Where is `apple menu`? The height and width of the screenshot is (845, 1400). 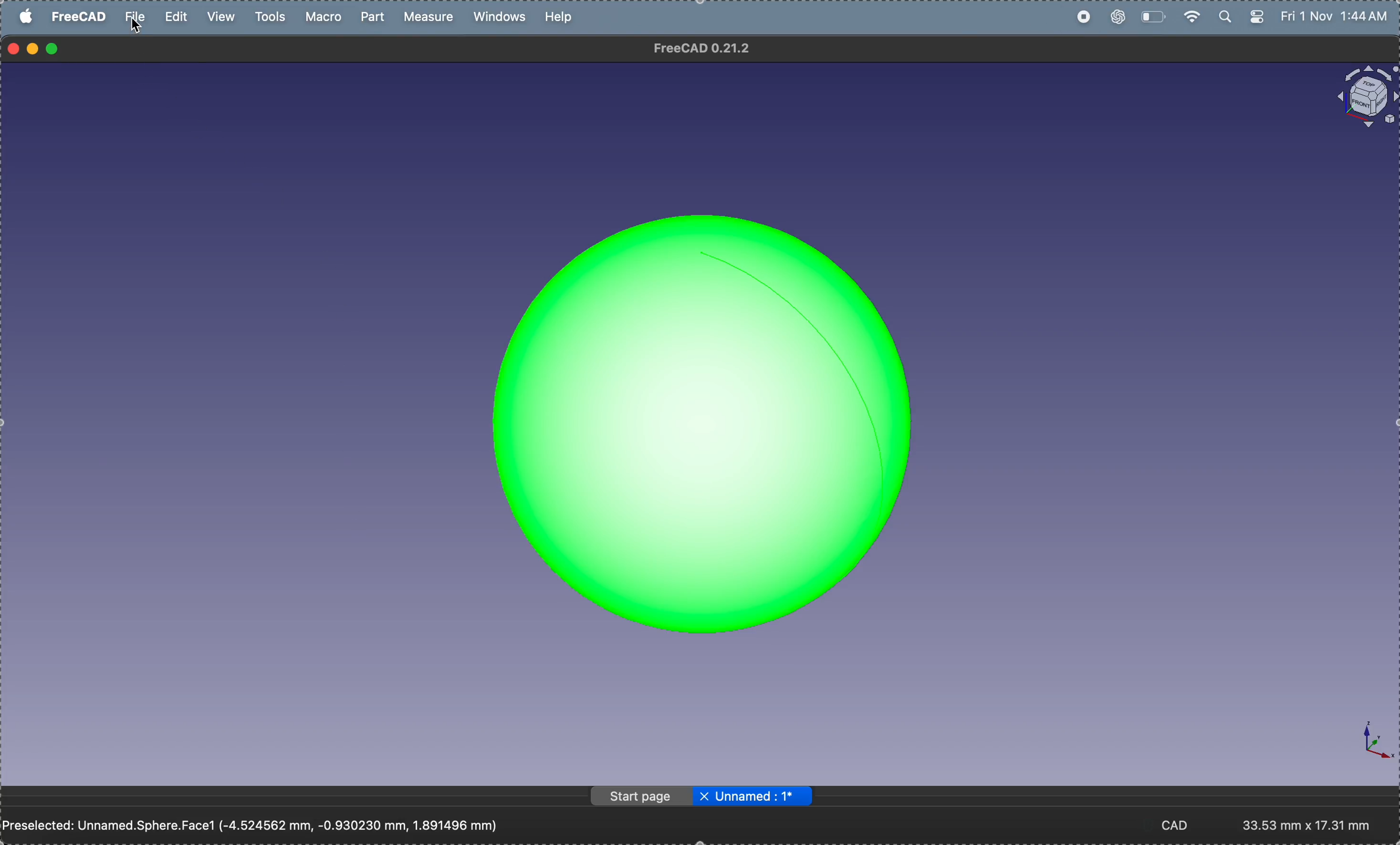 apple menu is located at coordinates (27, 15).